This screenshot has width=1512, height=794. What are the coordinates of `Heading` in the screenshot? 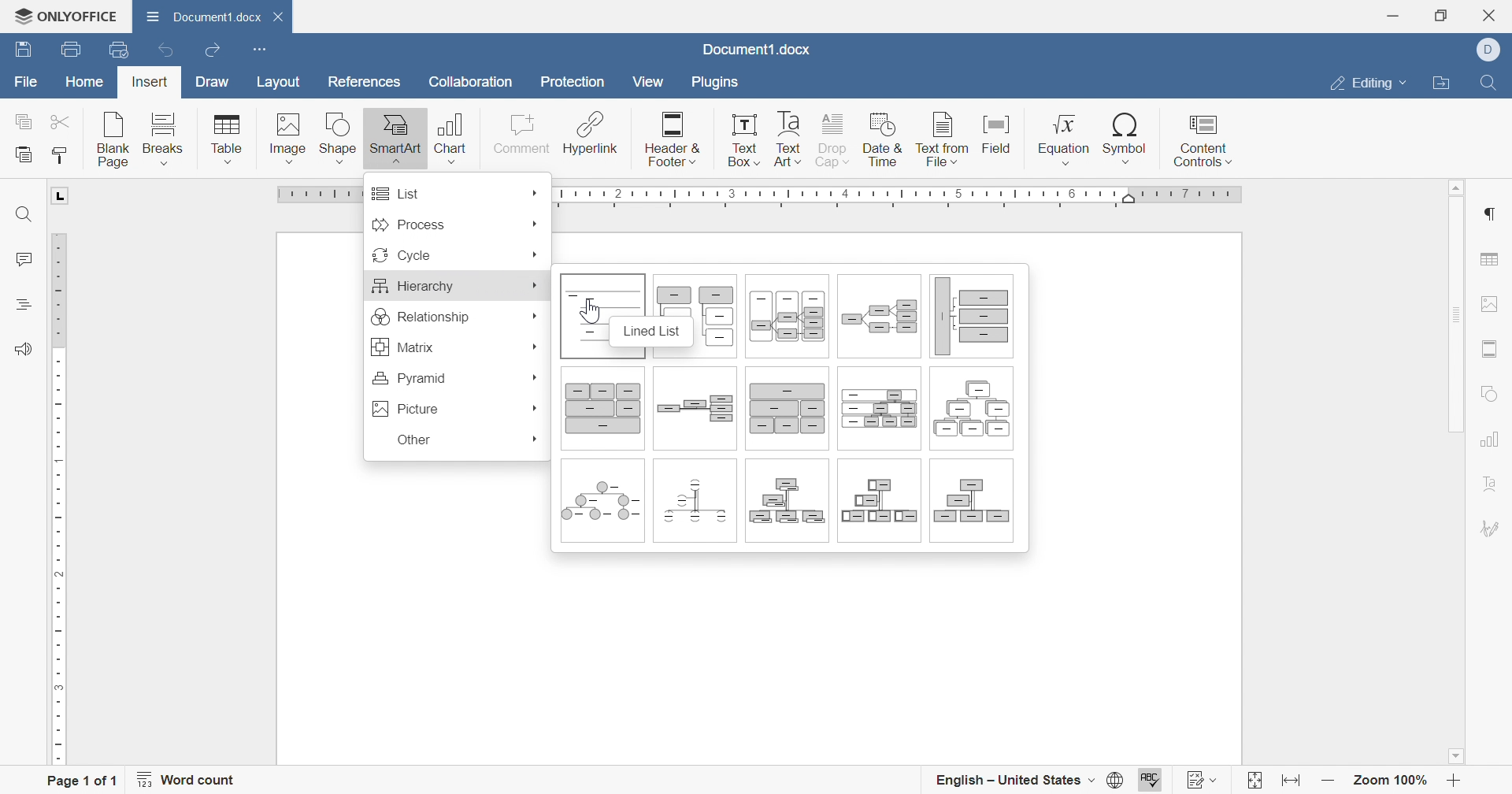 It's located at (21, 302).